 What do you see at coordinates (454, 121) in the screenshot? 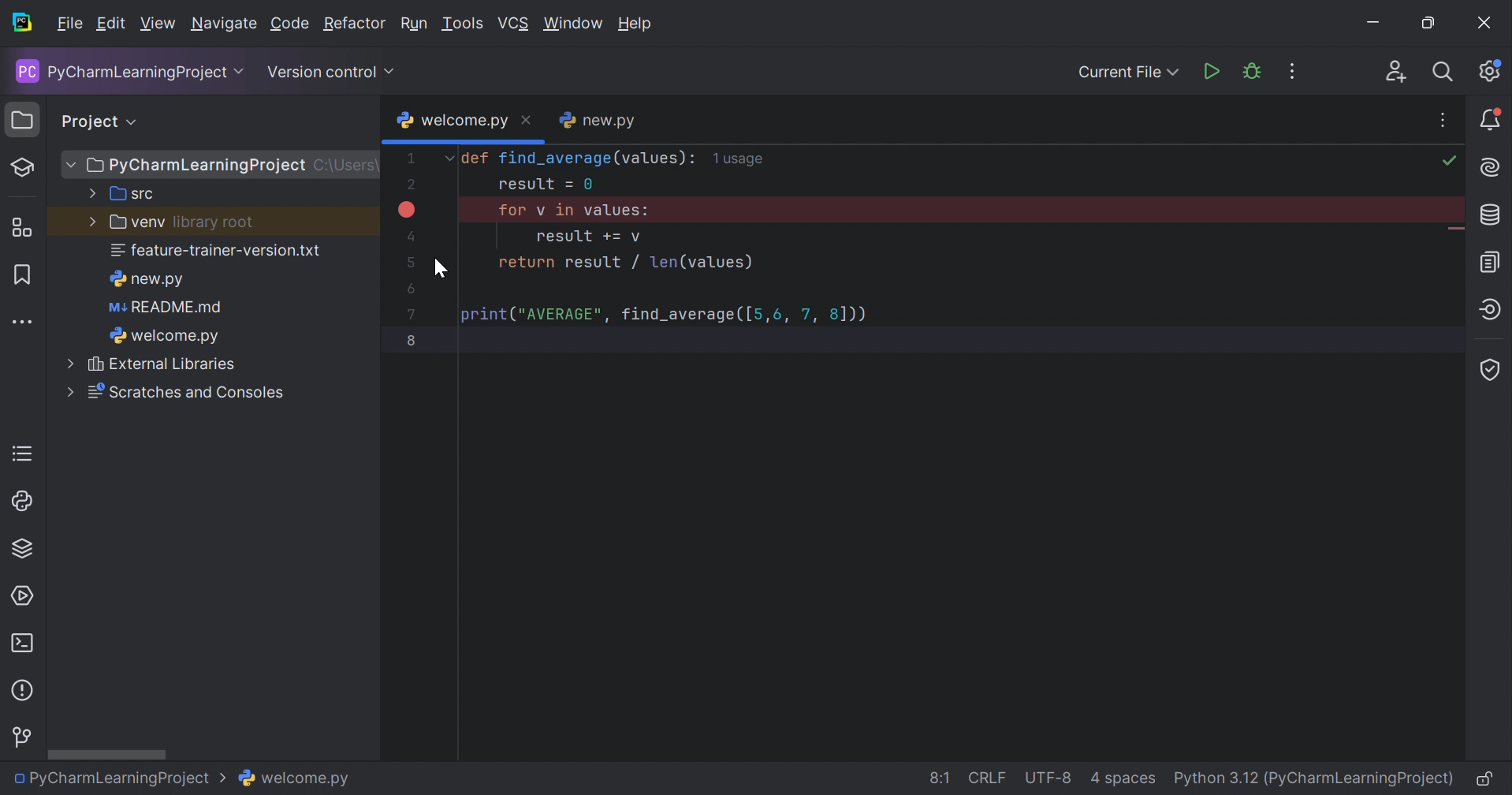
I see `welcome.py` at bounding box center [454, 121].